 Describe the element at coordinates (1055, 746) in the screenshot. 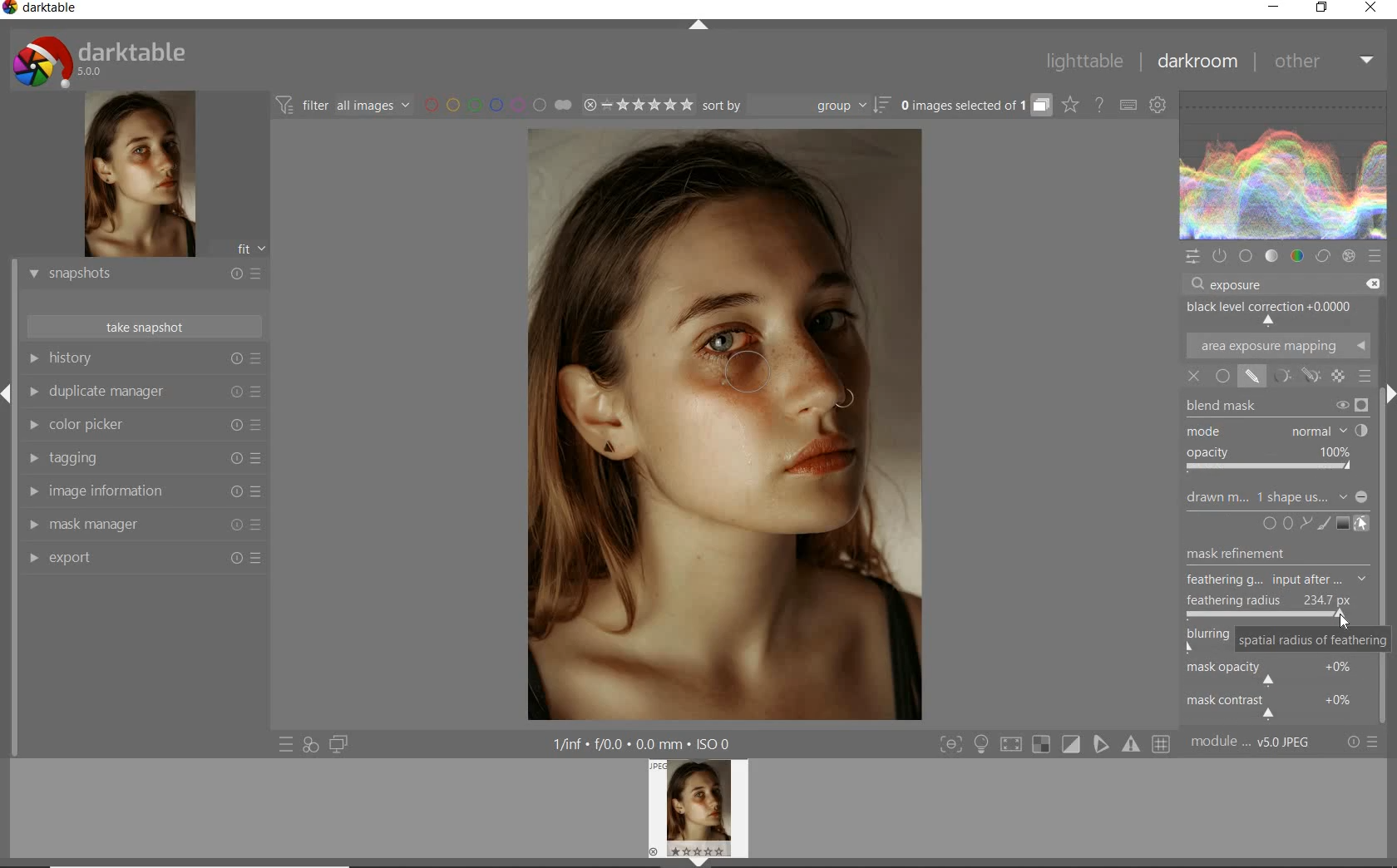

I see `toggle modes` at that location.